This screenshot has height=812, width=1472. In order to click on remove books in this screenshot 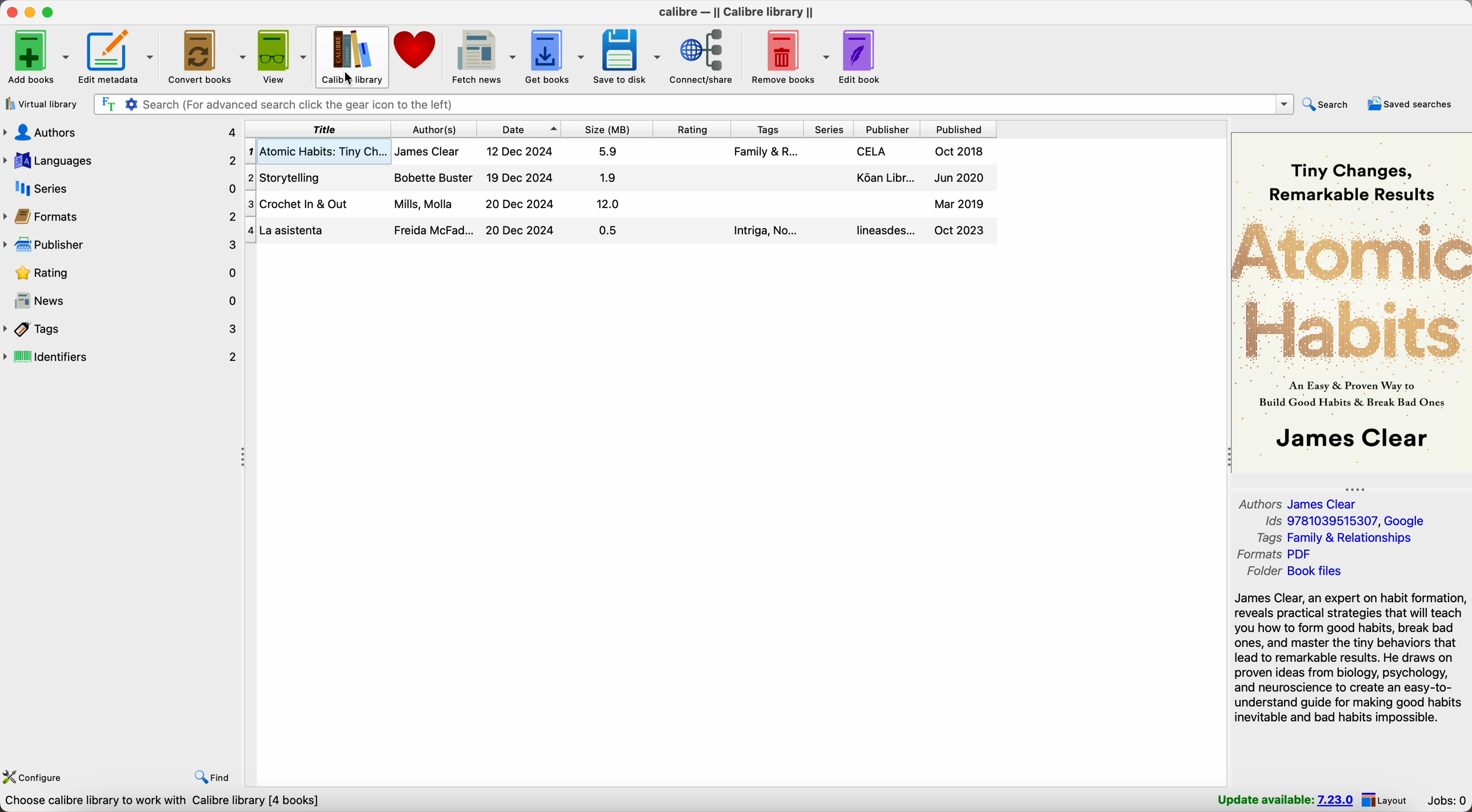, I will do `click(790, 57)`.